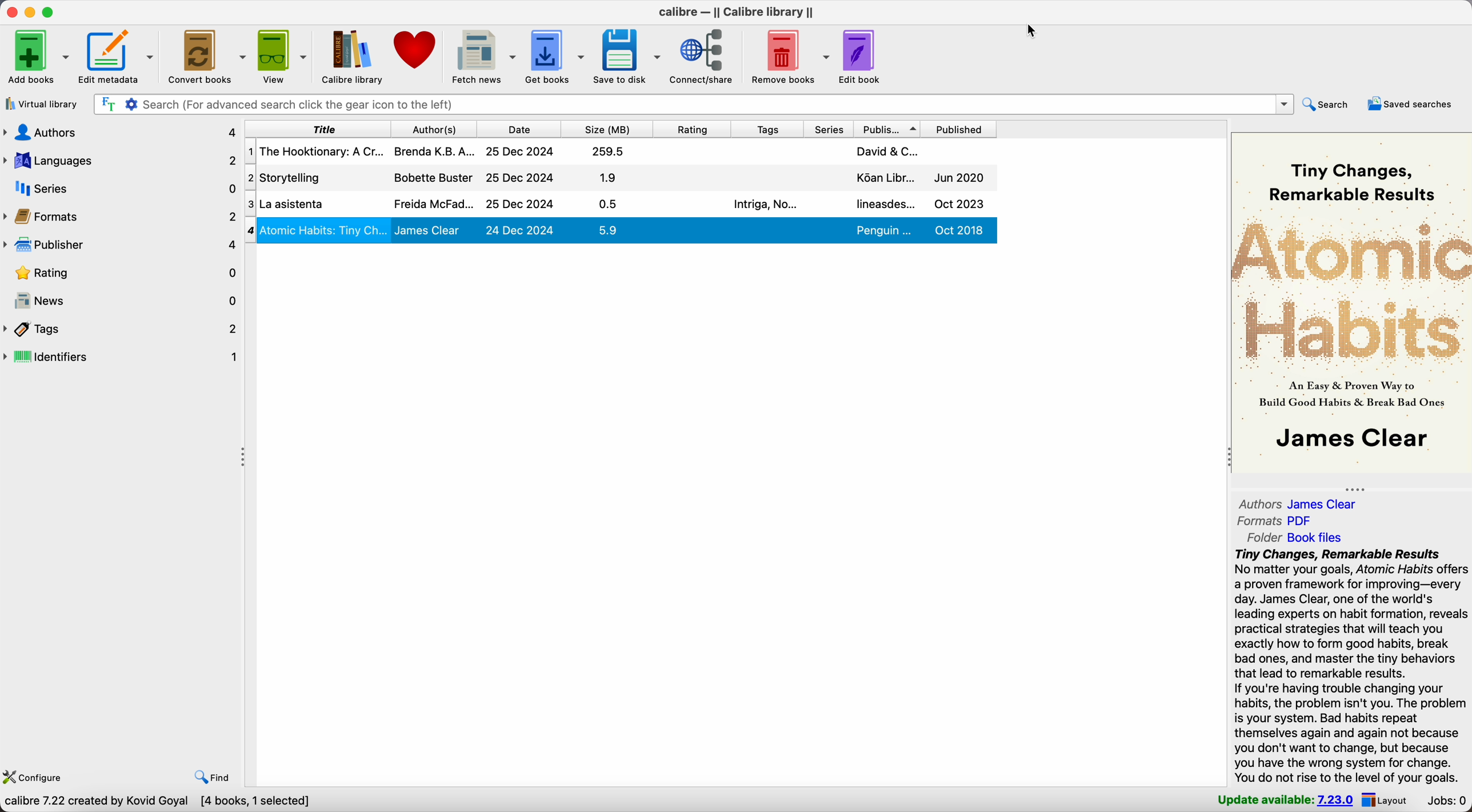 This screenshot has width=1472, height=812. What do you see at coordinates (41, 106) in the screenshot?
I see `virtual library` at bounding box center [41, 106].